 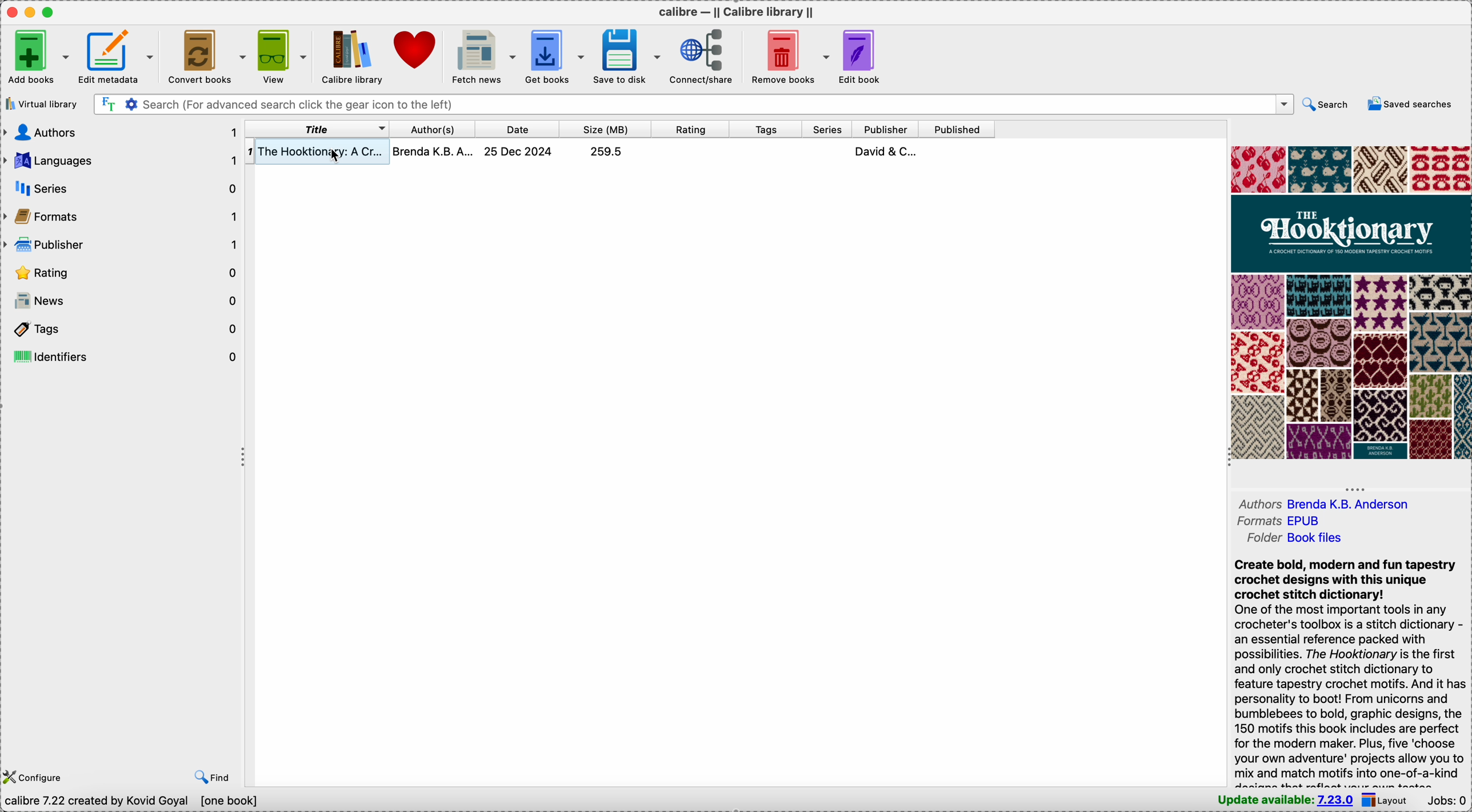 What do you see at coordinates (122, 158) in the screenshot?
I see `languages` at bounding box center [122, 158].